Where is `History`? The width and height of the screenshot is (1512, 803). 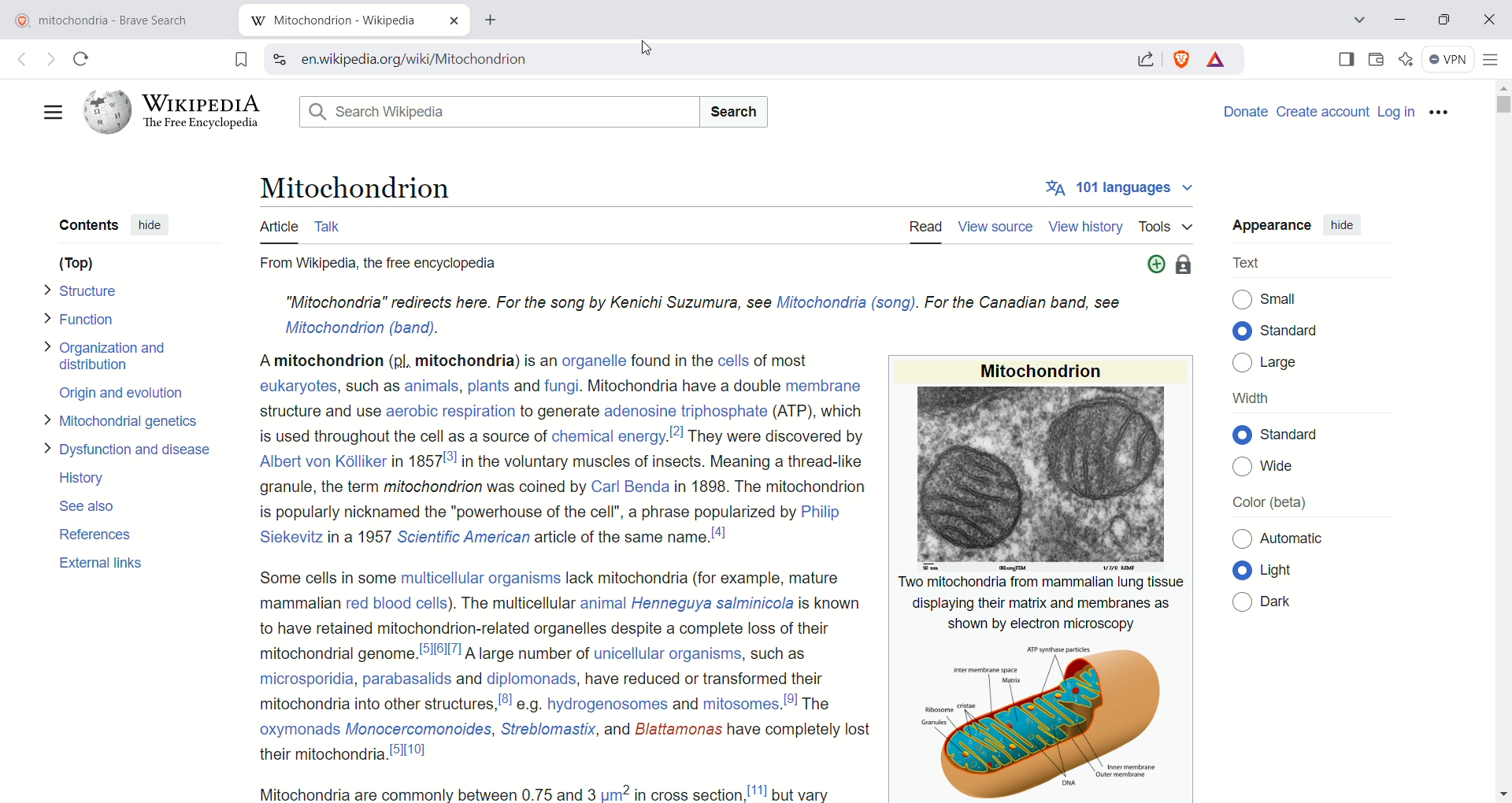 History is located at coordinates (87, 479).